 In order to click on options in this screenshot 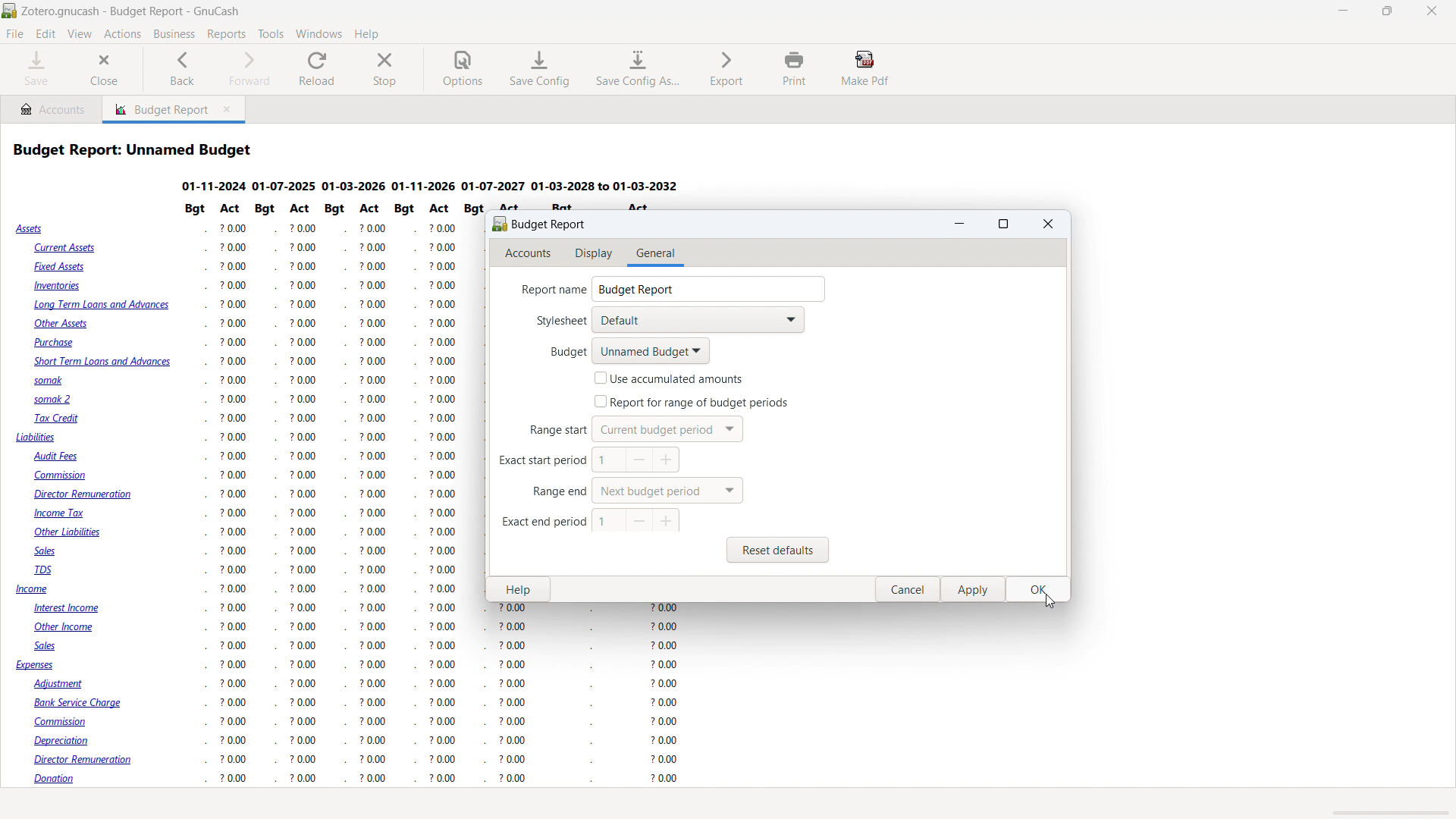, I will do `click(463, 70)`.